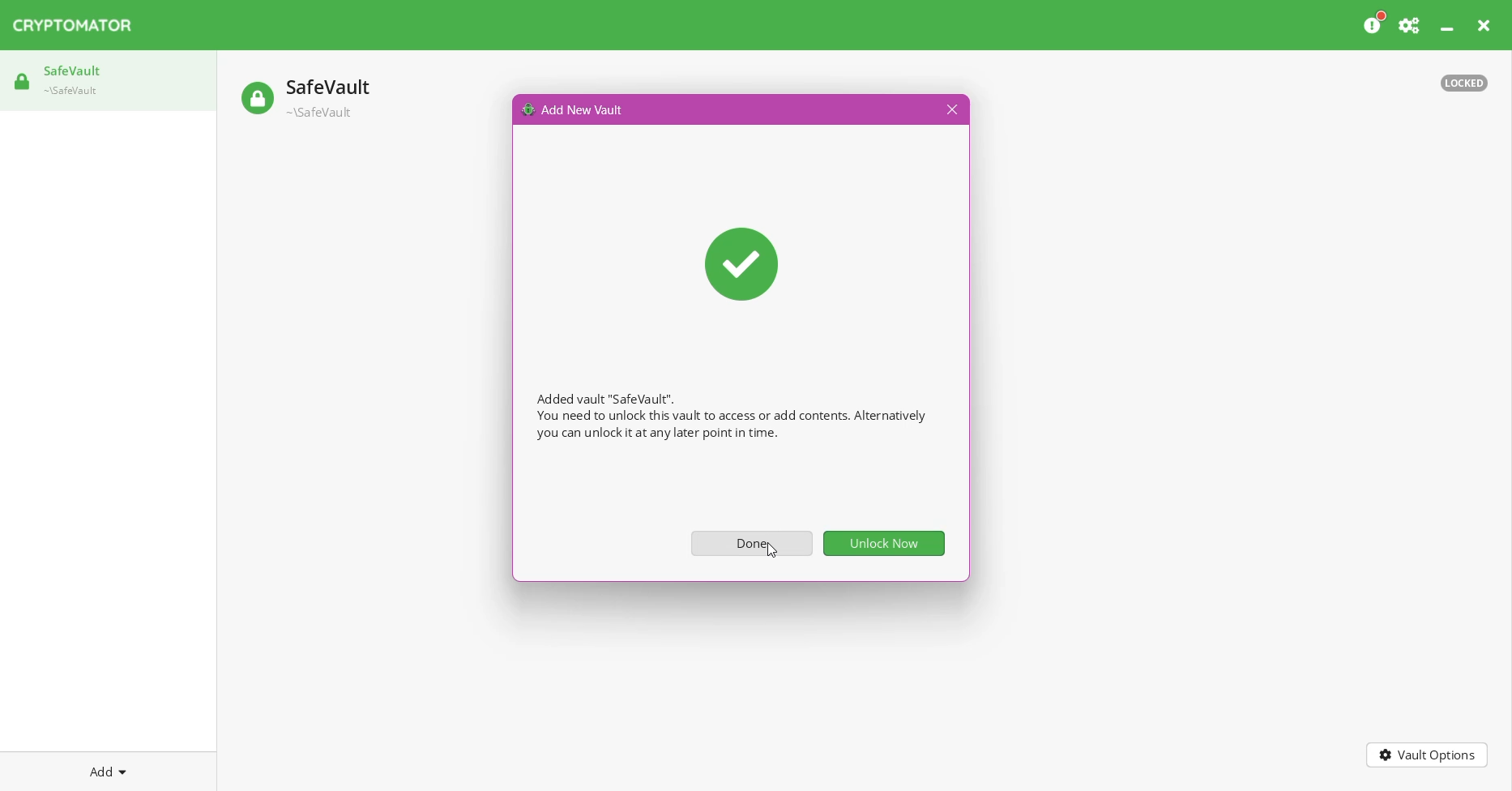  I want to click on Vault Options, so click(1428, 755).